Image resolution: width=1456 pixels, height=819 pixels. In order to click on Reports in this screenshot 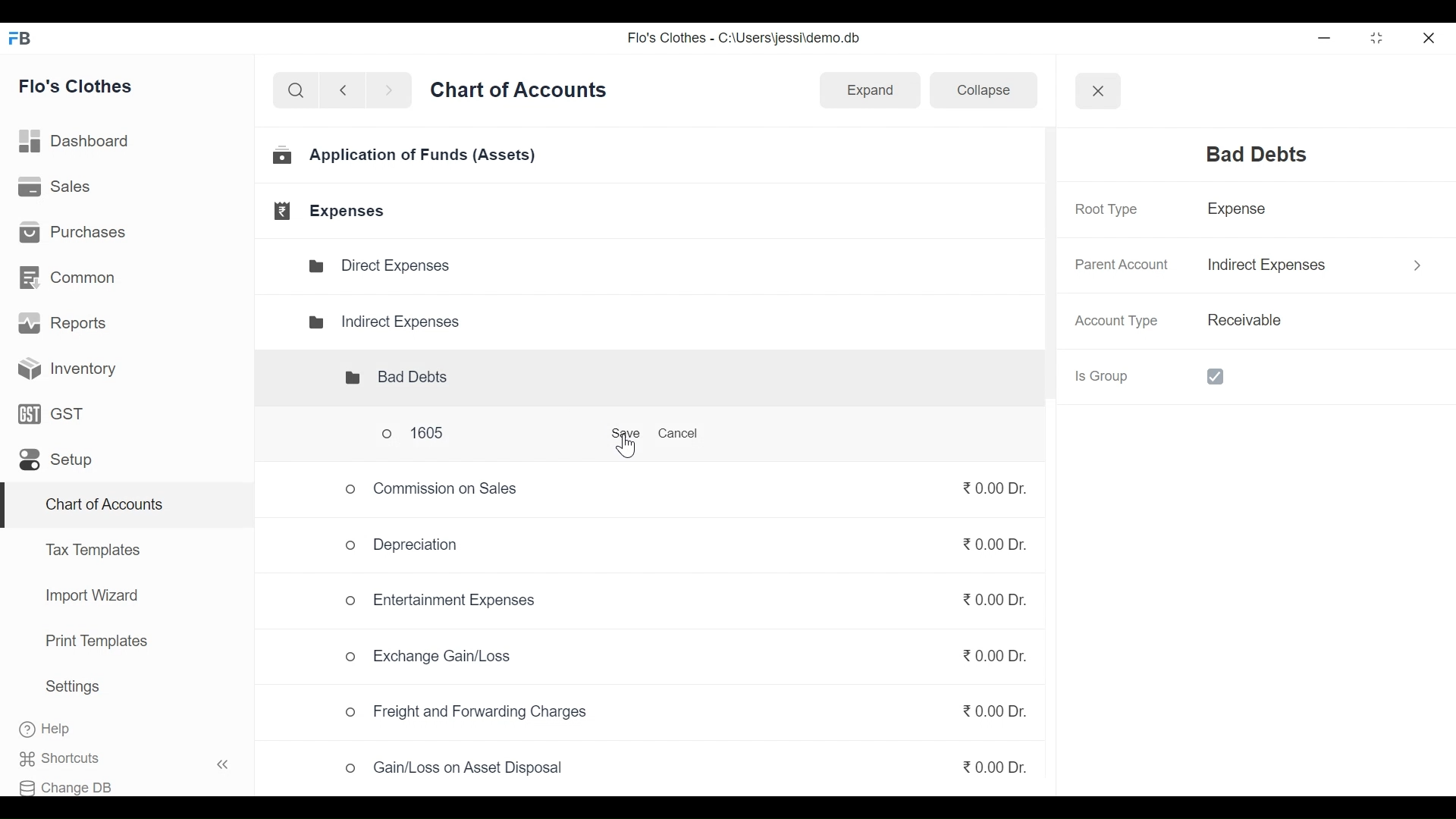, I will do `click(65, 326)`.